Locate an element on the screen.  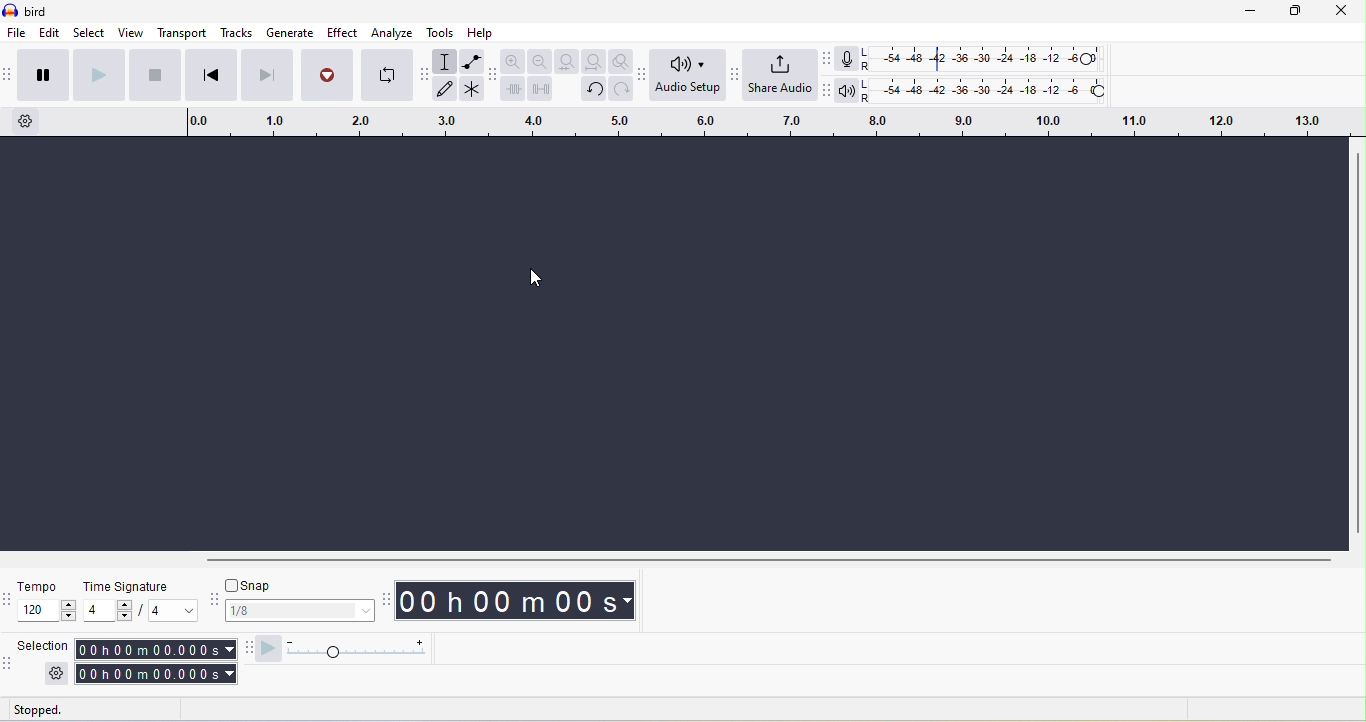
close is located at coordinates (1341, 13).